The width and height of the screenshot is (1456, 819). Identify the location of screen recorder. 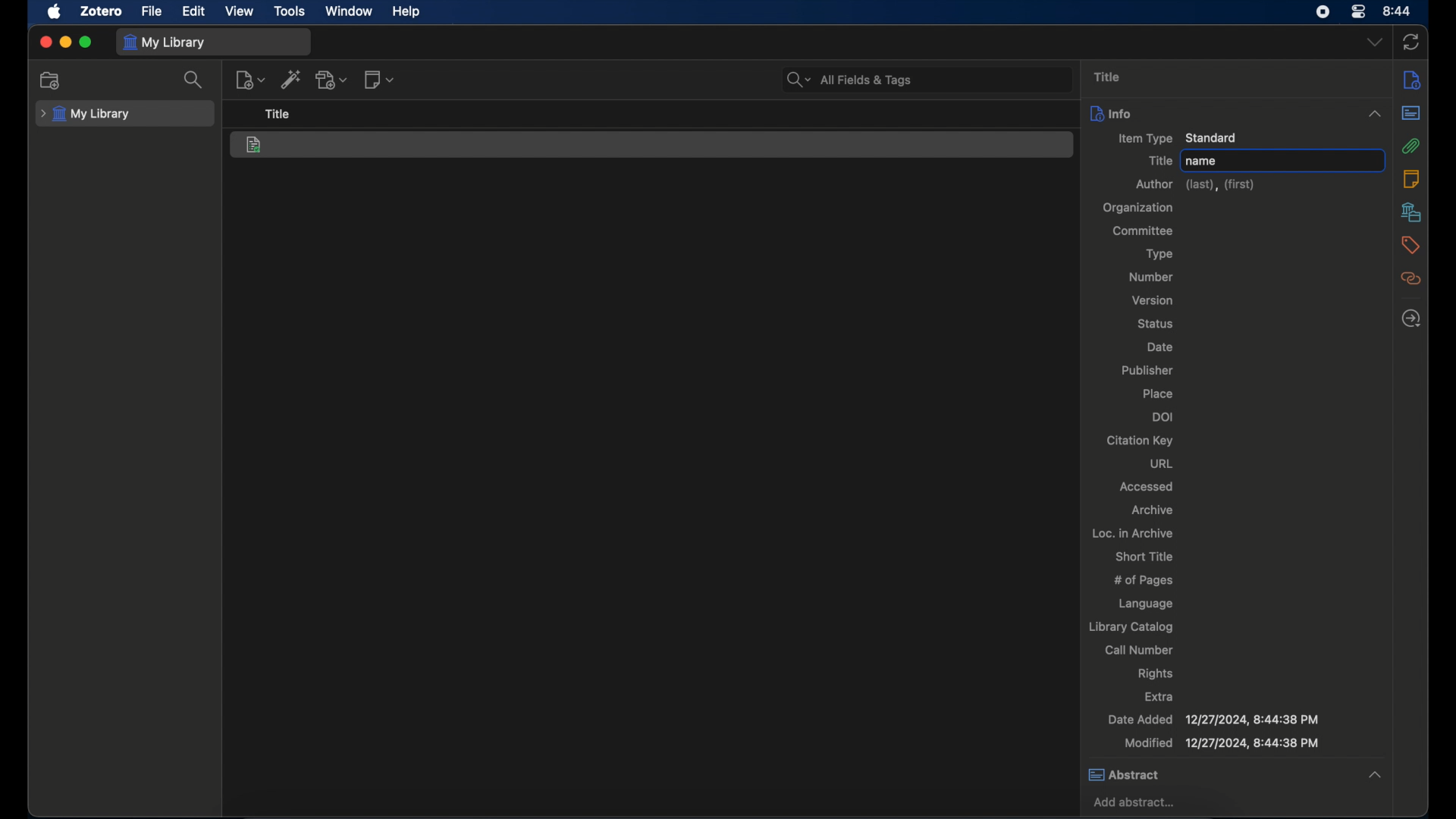
(1323, 12).